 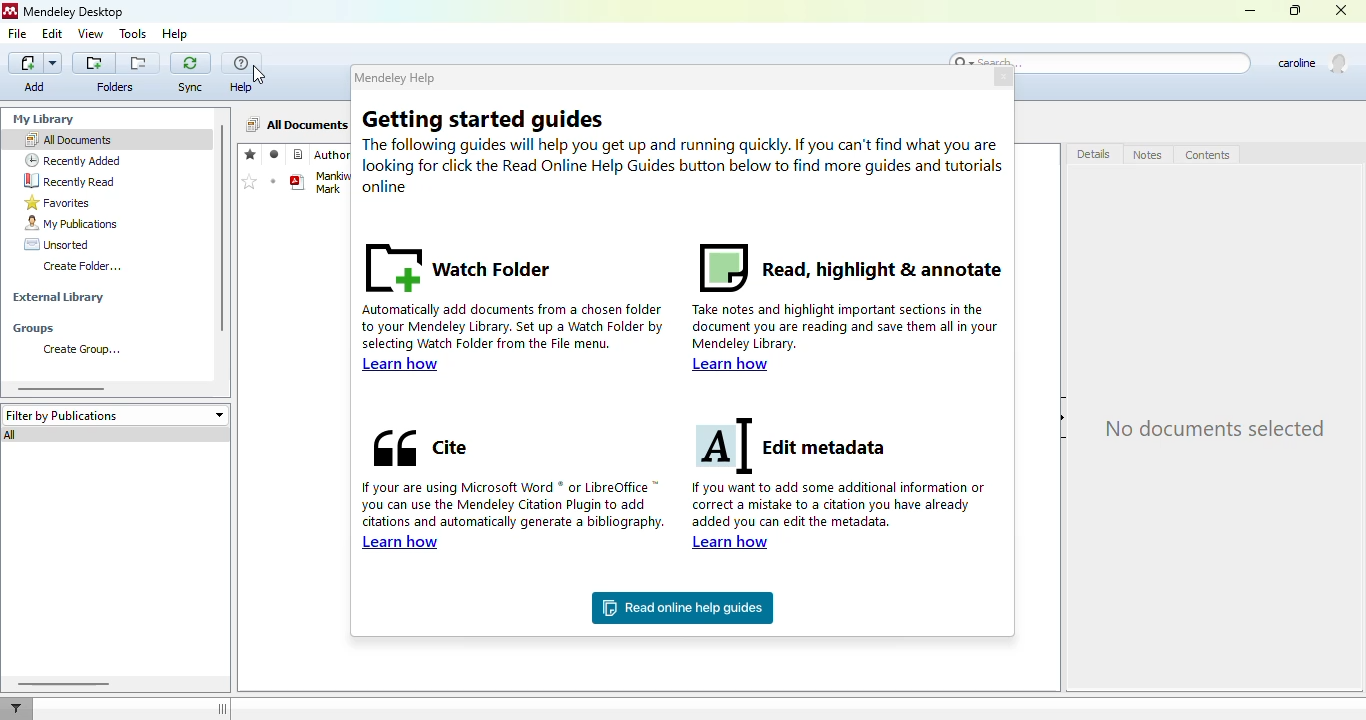 What do you see at coordinates (1136, 63) in the screenshot?
I see `search` at bounding box center [1136, 63].